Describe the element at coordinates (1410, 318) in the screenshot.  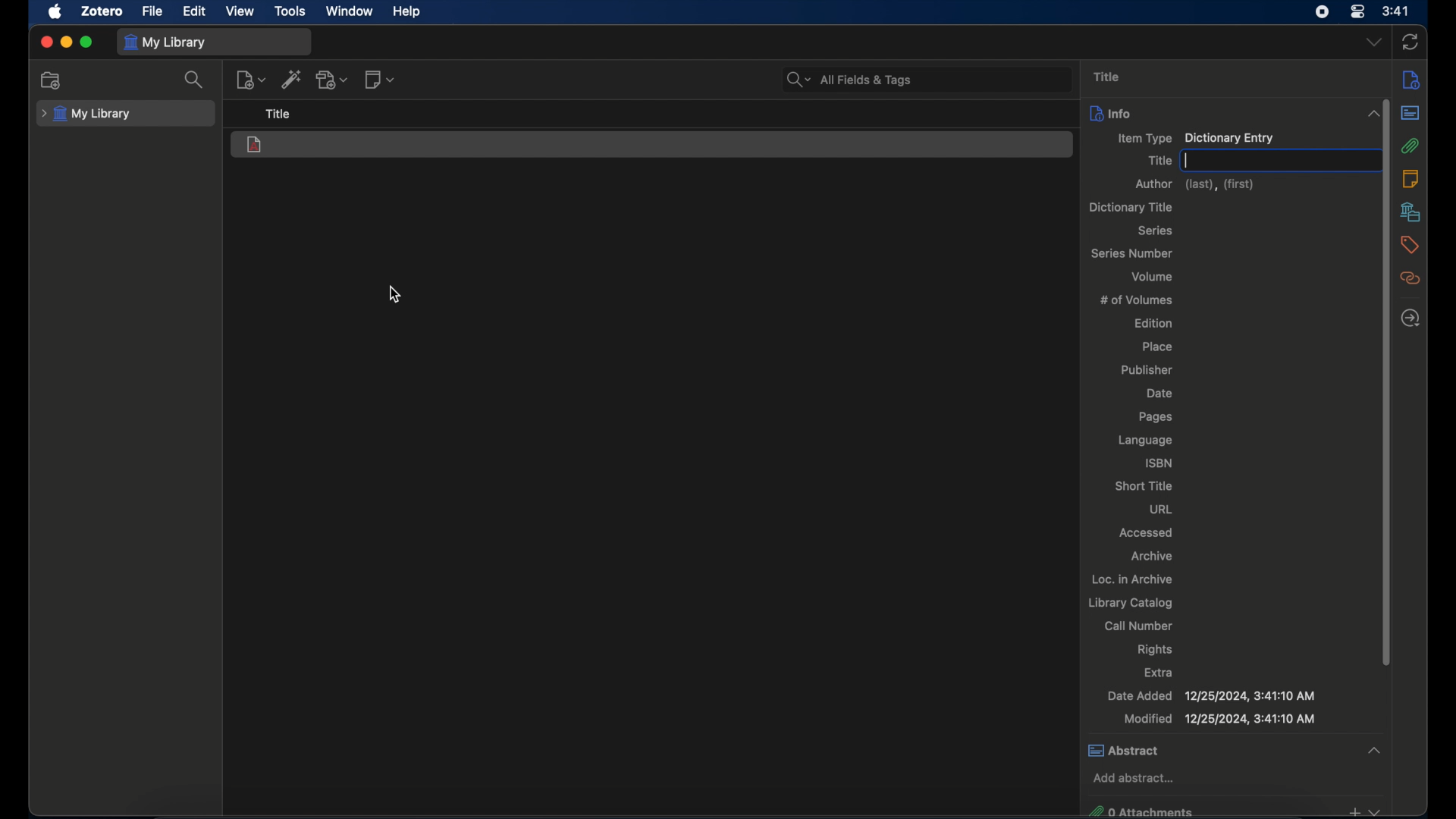
I see `locate` at that location.